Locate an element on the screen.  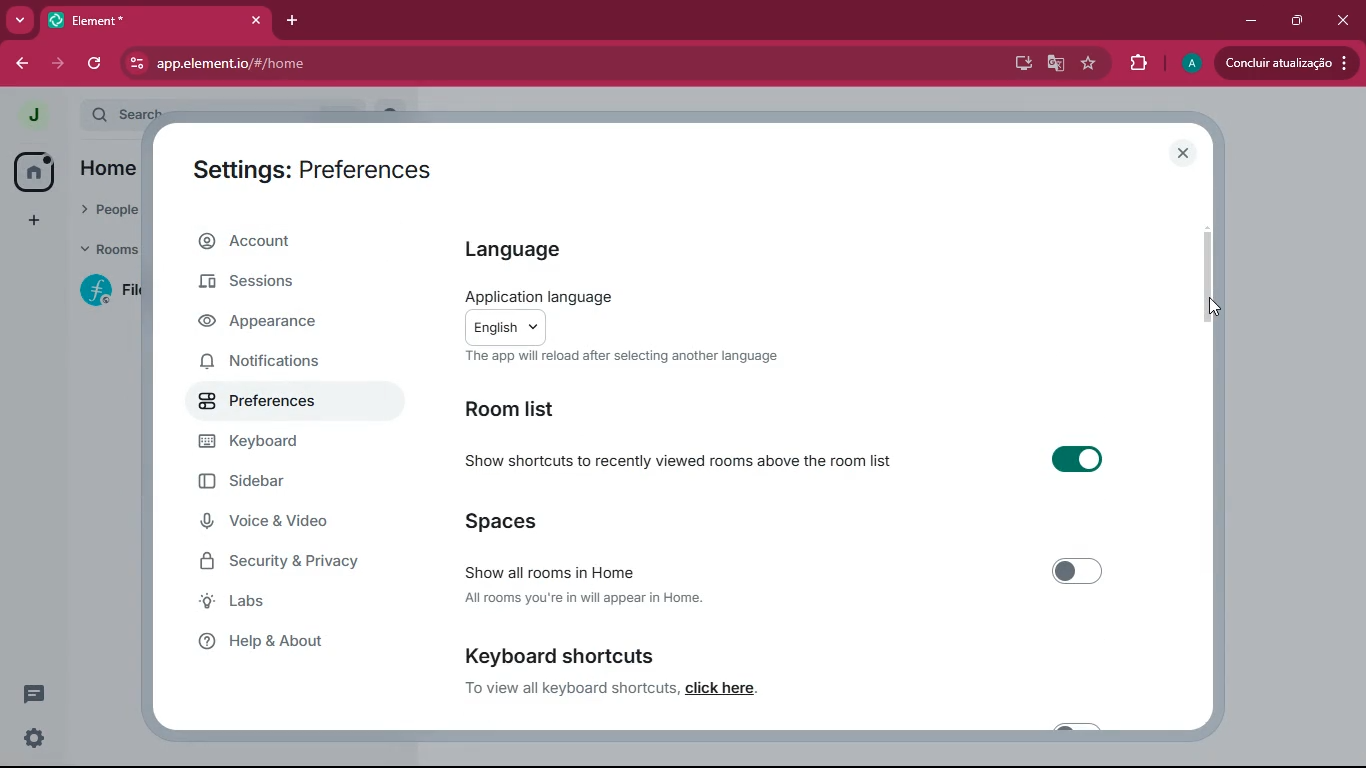
spaces is located at coordinates (545, 519).